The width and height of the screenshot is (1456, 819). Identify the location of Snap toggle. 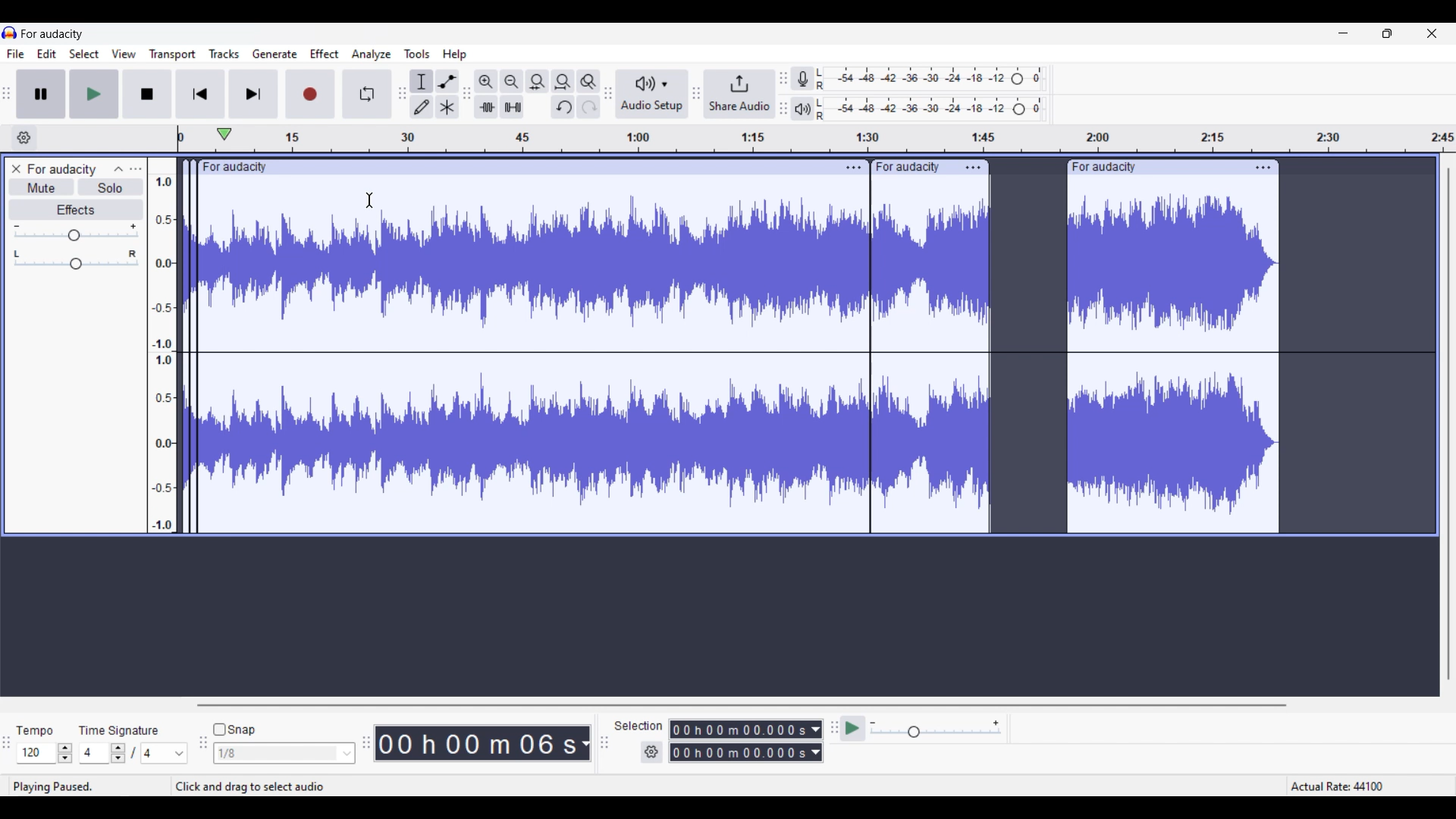
(234, 730).